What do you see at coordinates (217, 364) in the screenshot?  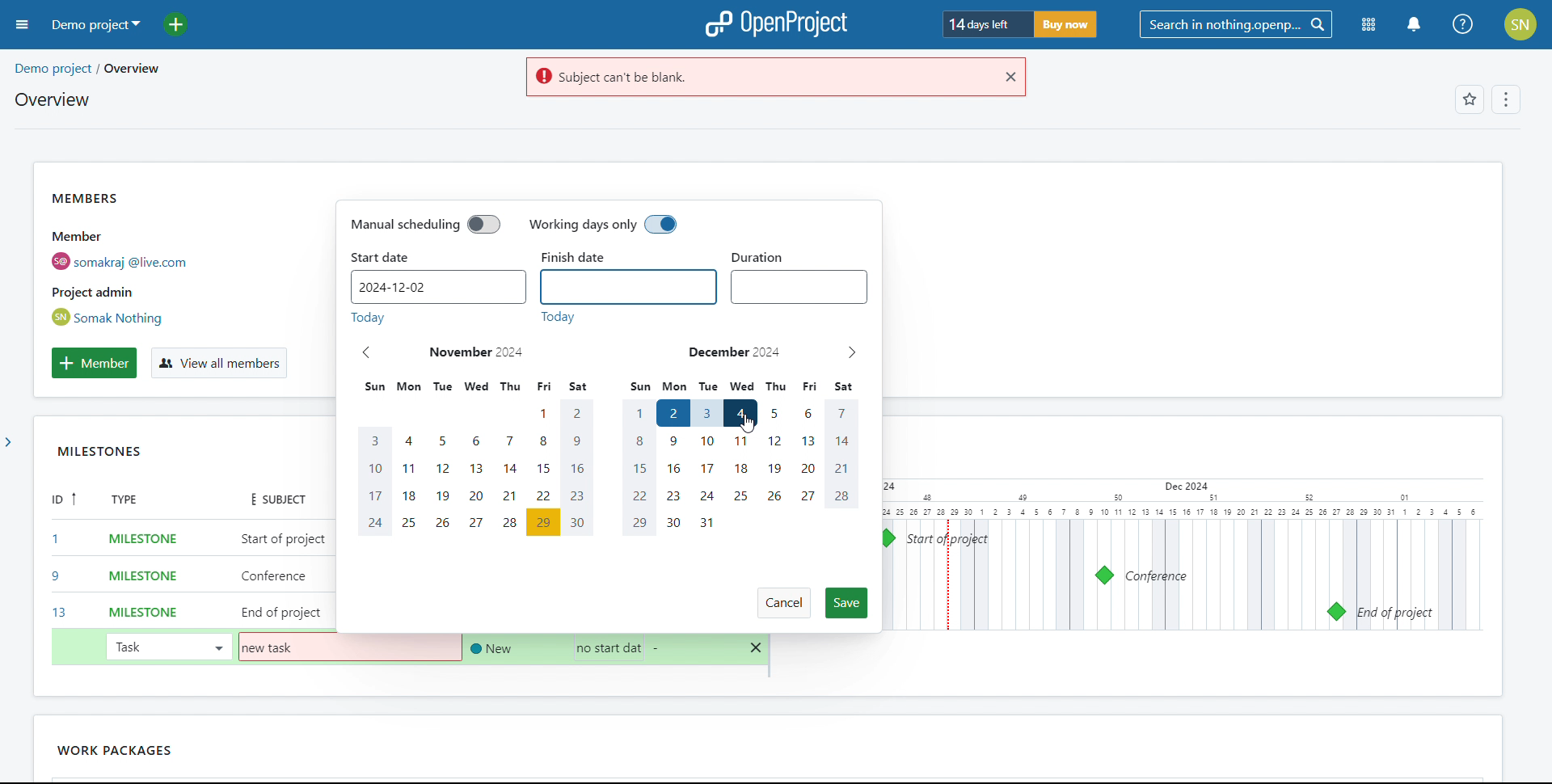 I see `view all members` at bounding box center [217, 364].